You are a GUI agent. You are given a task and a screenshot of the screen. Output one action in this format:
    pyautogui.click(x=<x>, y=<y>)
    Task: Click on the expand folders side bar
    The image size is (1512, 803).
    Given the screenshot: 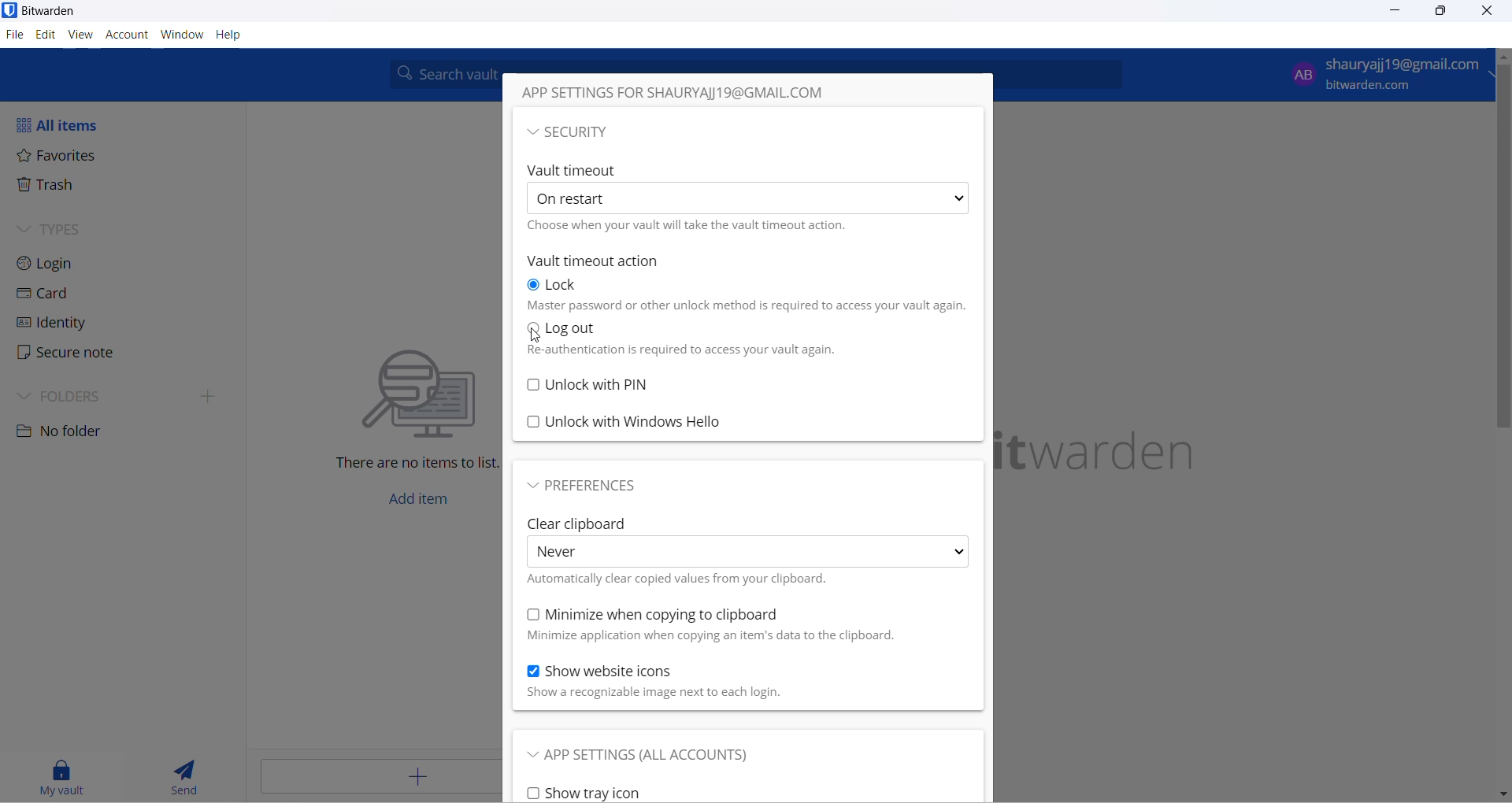 What is the action you would take?
    pyautogui.click(x=210, y=399)
    